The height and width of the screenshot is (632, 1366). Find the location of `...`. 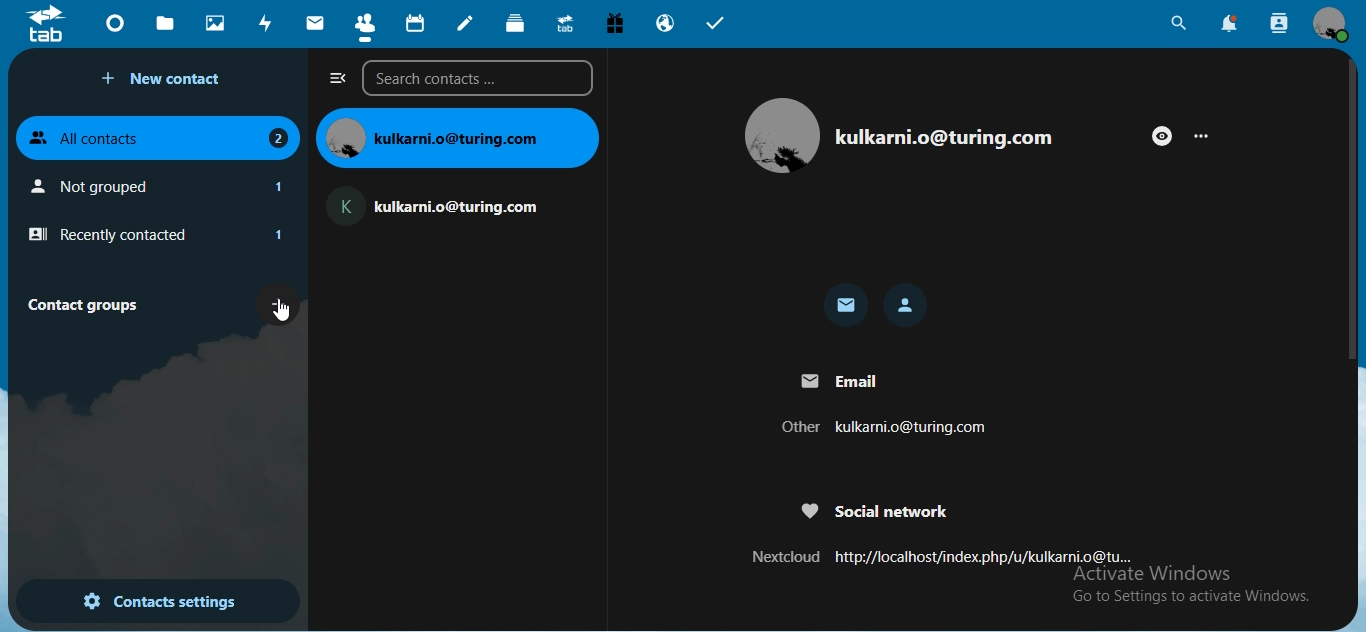

... is located at coordinates (1204, 134).